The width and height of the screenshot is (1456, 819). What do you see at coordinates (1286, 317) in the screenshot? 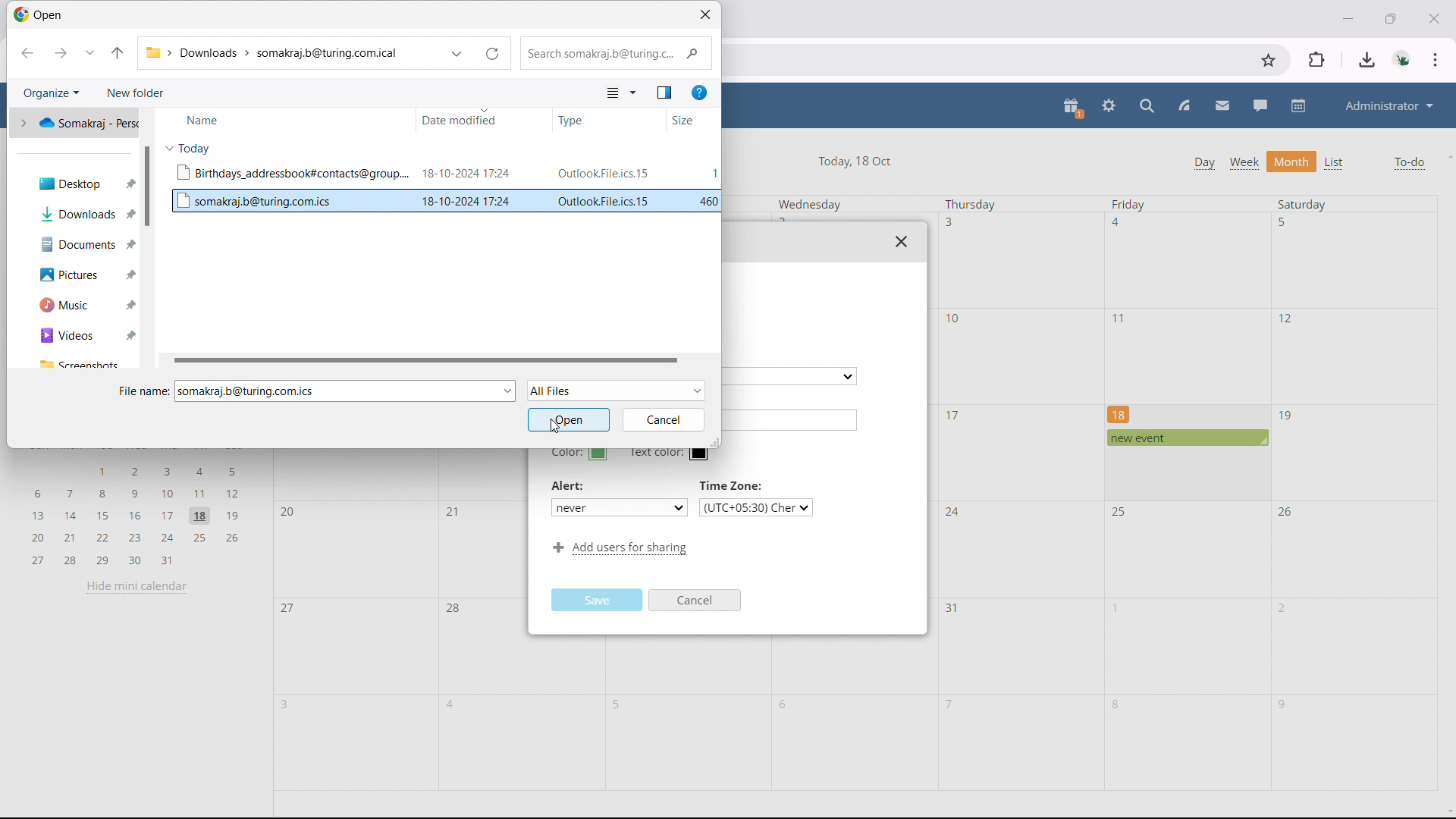
I see `12` at bounding box center [1286, 317].